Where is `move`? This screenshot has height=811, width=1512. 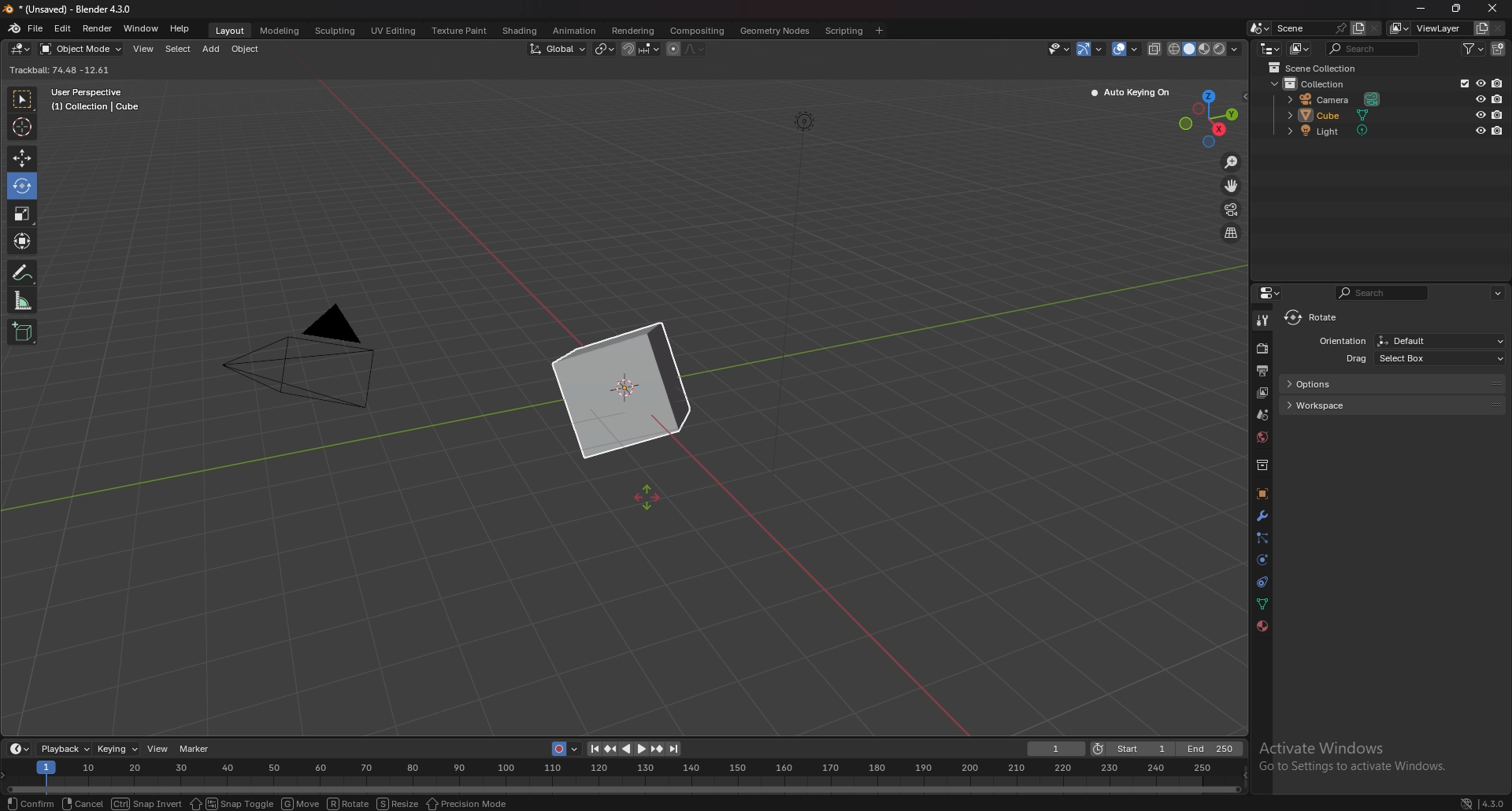
move is located at coordinates (1232, 185).